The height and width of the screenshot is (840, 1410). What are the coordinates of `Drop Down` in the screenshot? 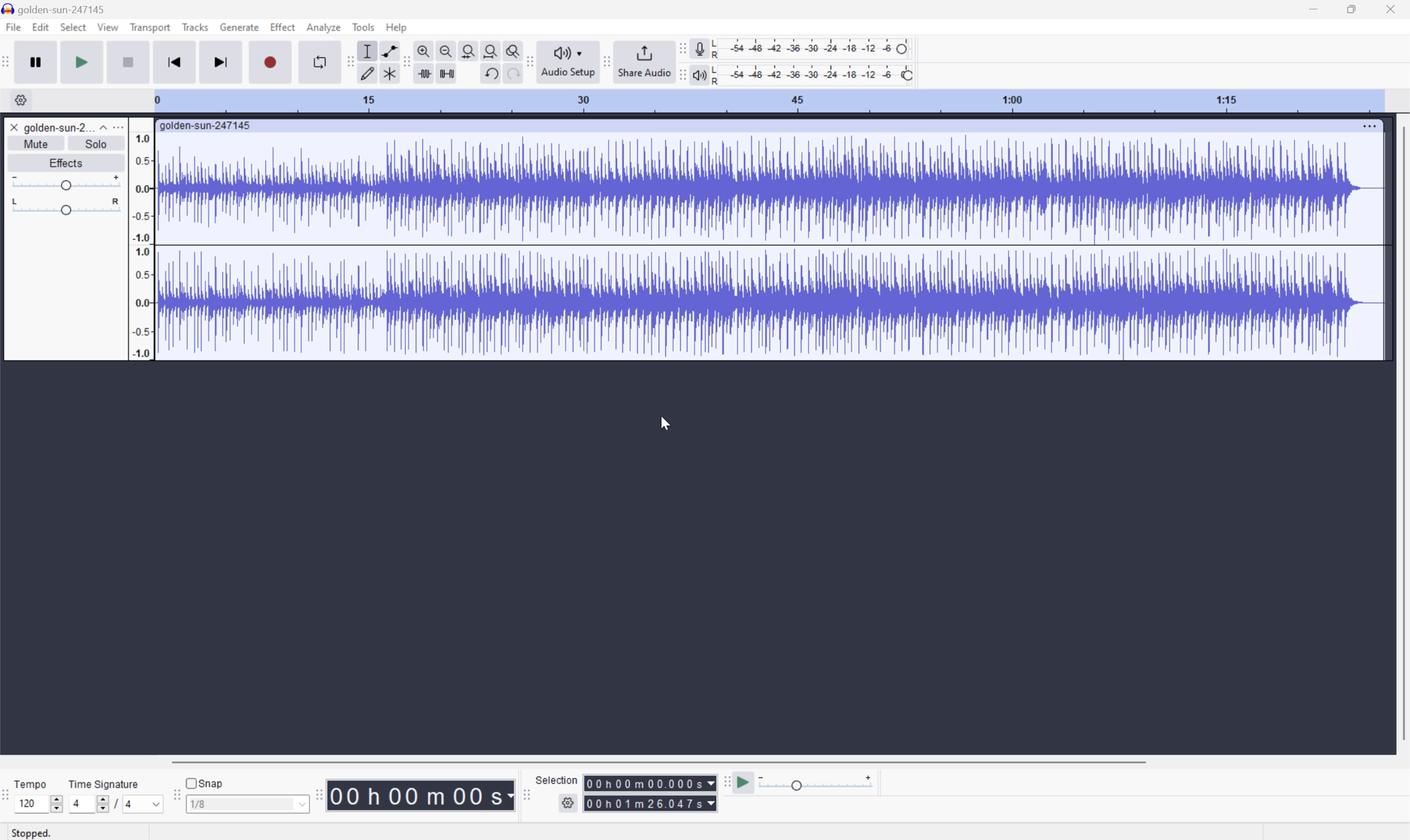 It's located at (101, 126).